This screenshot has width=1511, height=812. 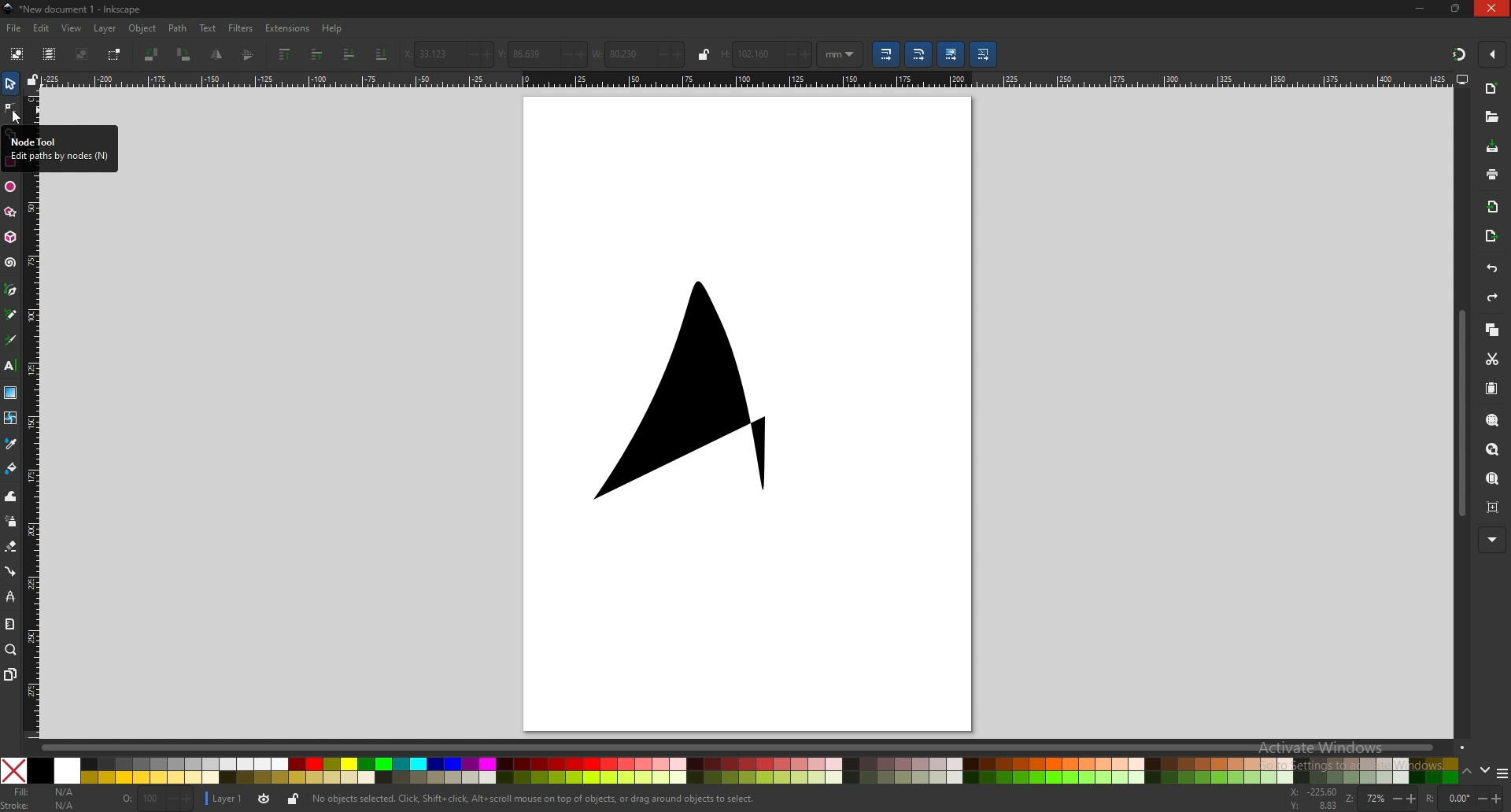 I want to click on text, so click(x=10, y=365).